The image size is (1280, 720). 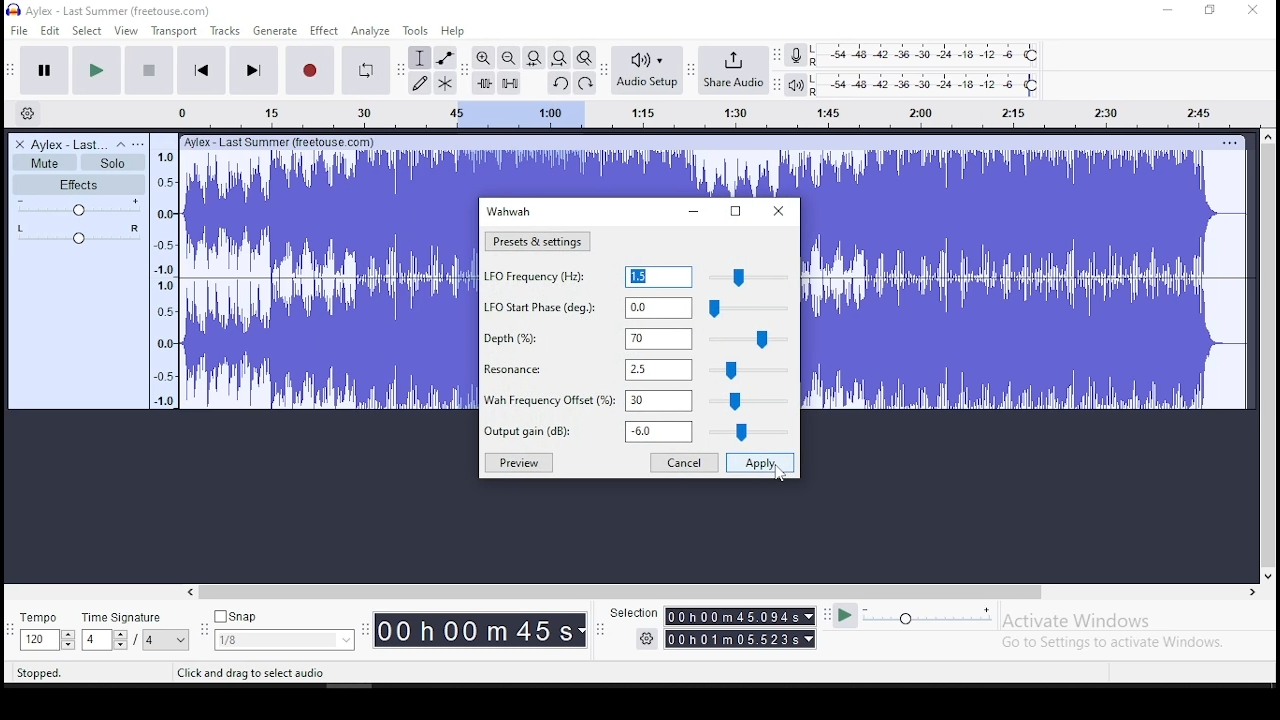 I want to click on timeline, so click(x=700, y=111).